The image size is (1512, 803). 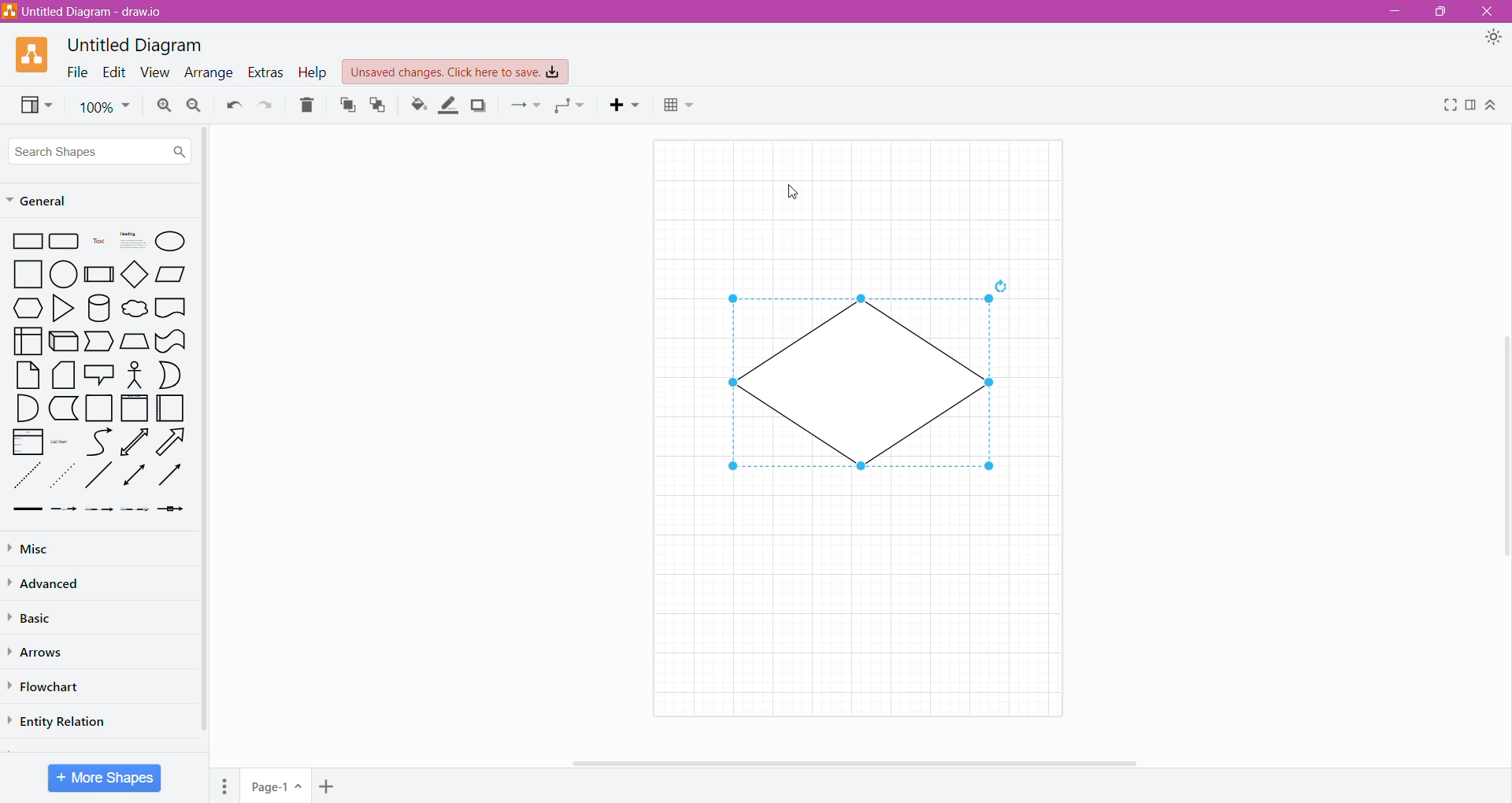 What do you see at coordinates (139, 44) in the screenshot?
I see `Untitled Diagram` at bounding box center [139, 44].